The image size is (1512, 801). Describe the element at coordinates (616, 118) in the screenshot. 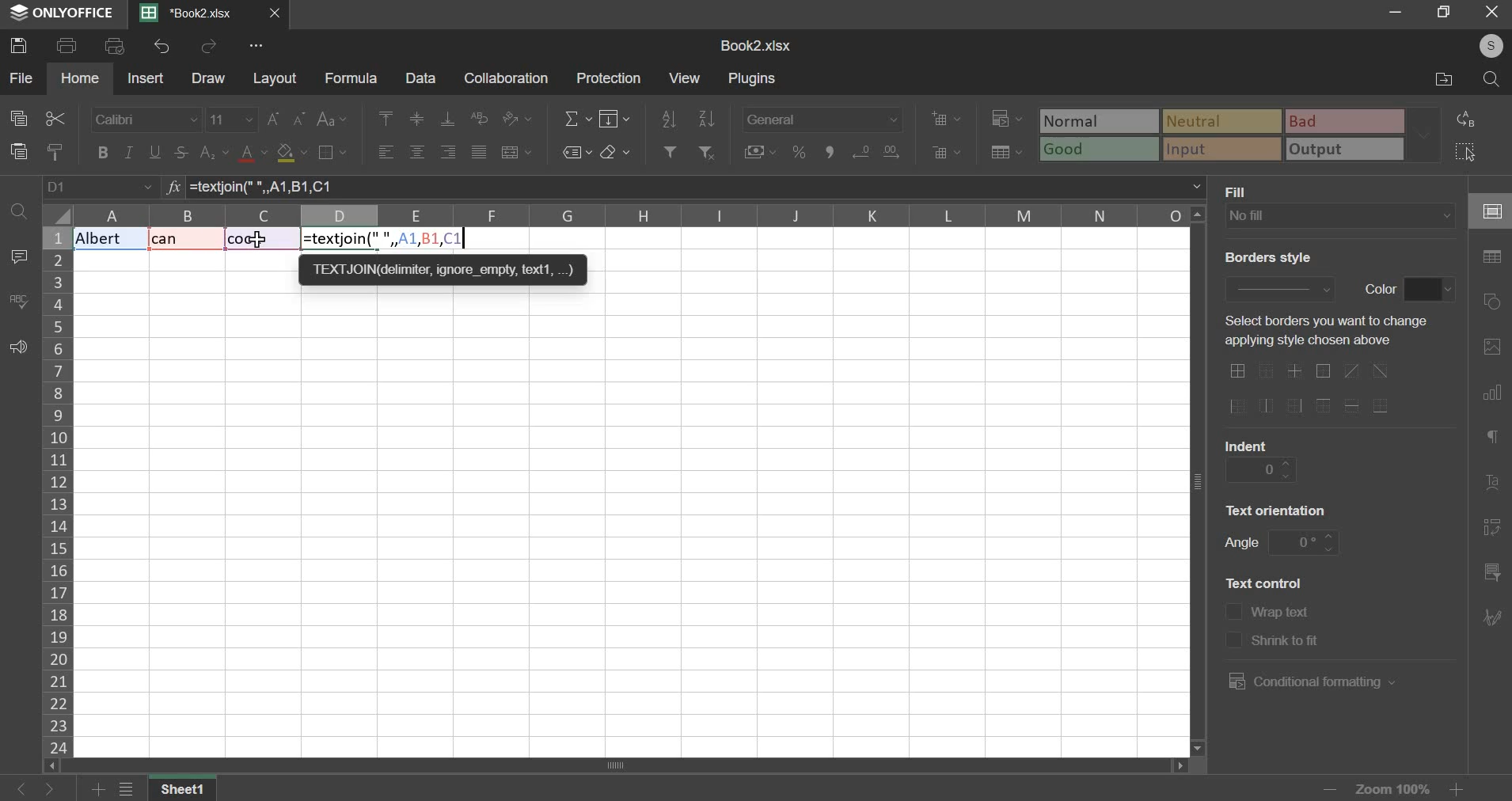

I see `fill` at that location.